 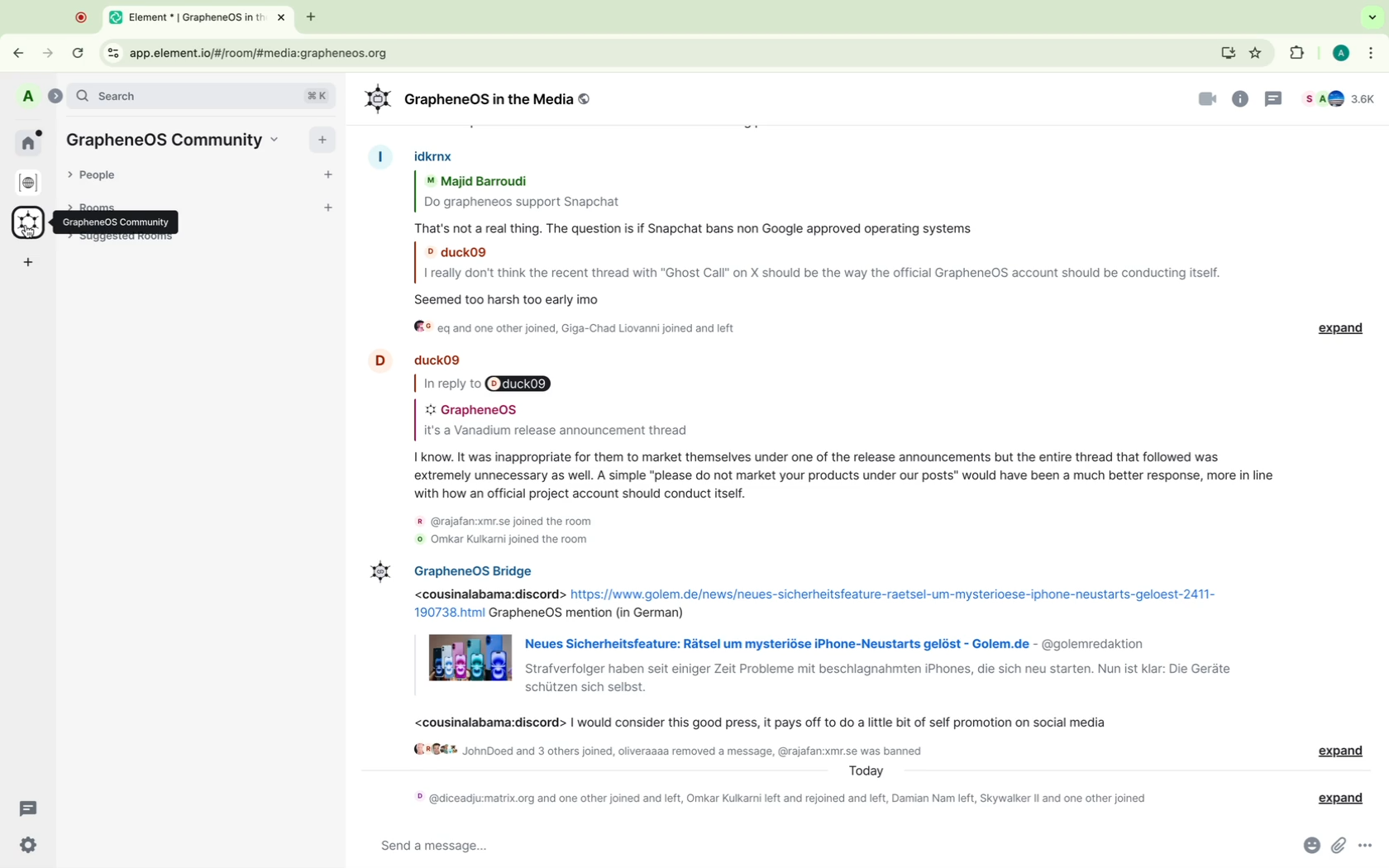 I want to click on expand, so click(x=1342, y=751).